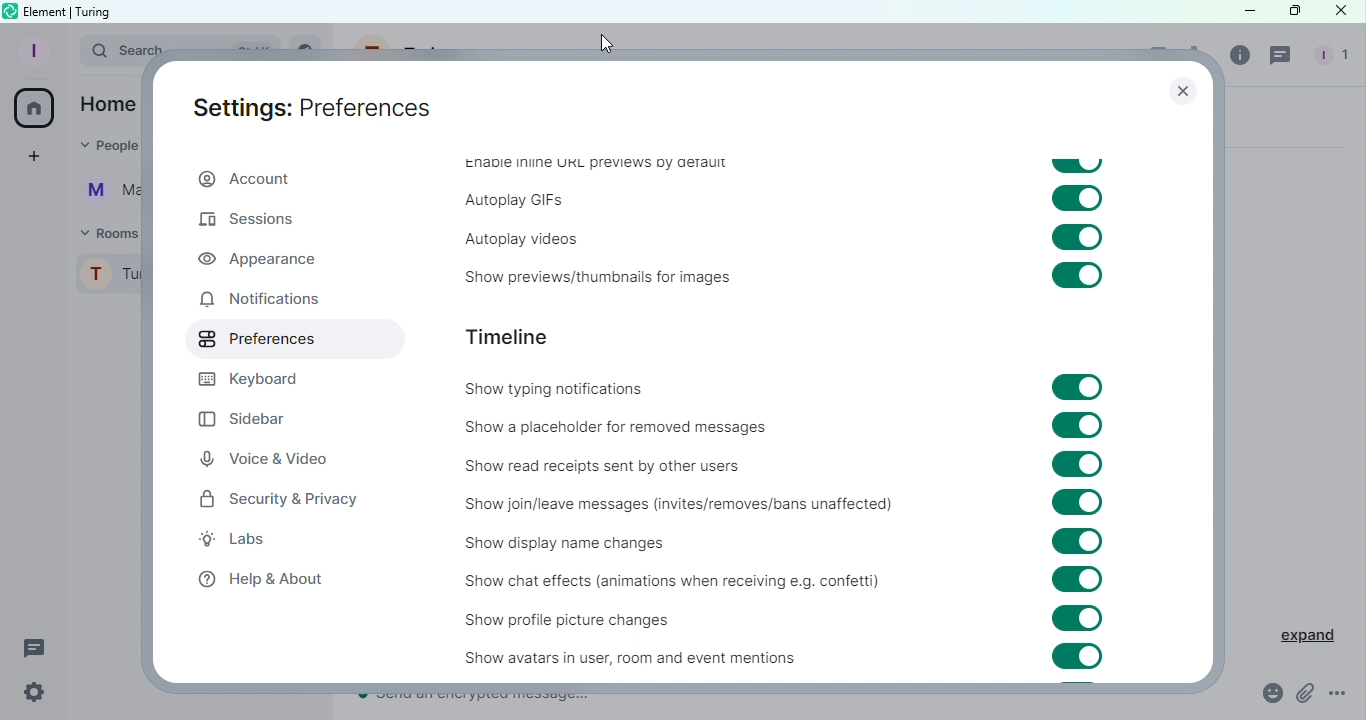 This screenshot has height=720, width=1366. Describe the element at coordinates (291, 340) in the screenshot. I see `Prefrences` at that location.